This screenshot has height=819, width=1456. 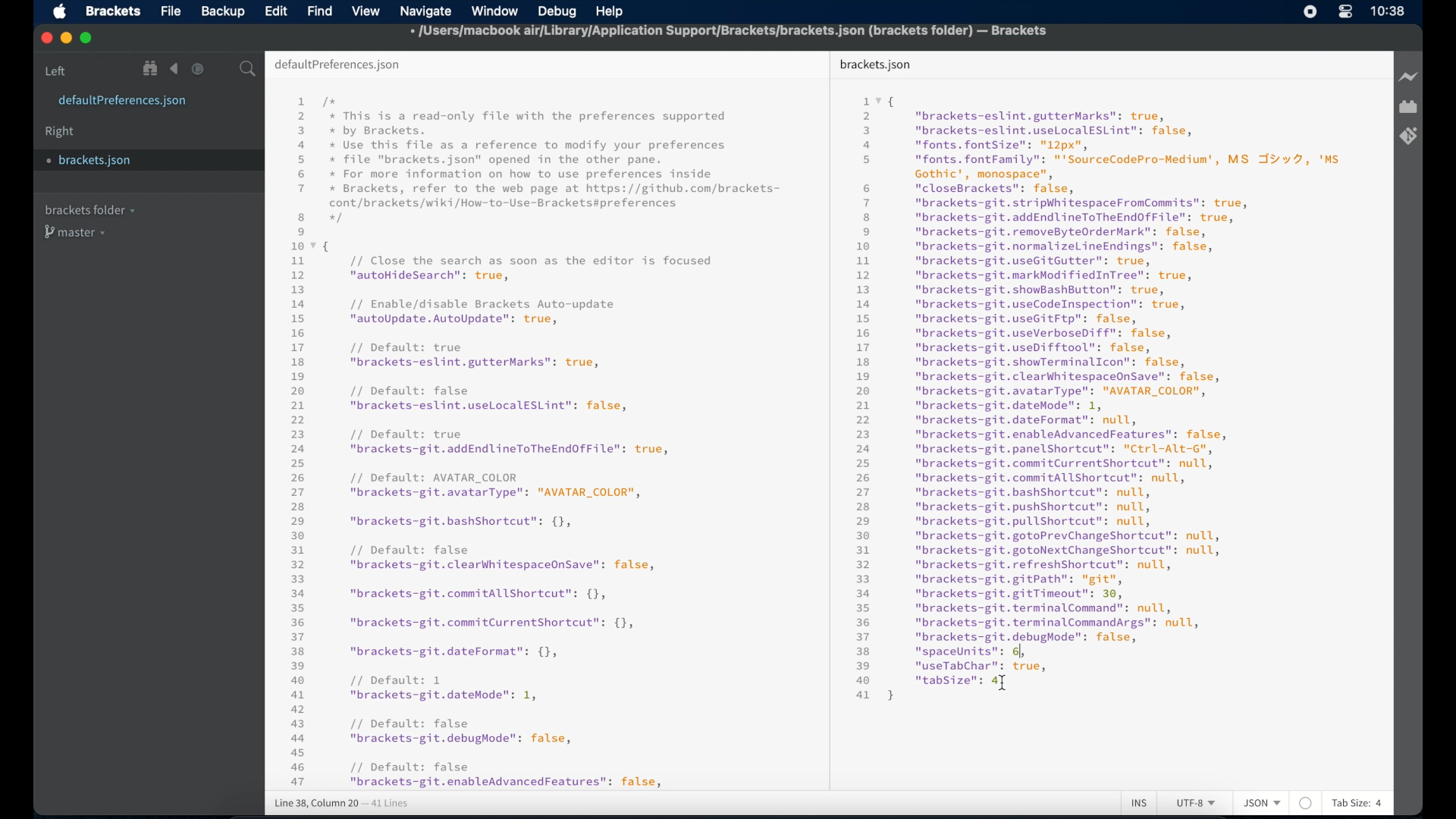 What do you see at coordinates (1139, 804) in the screenshot?
I see `ins` at bounding box center [1139, 804].